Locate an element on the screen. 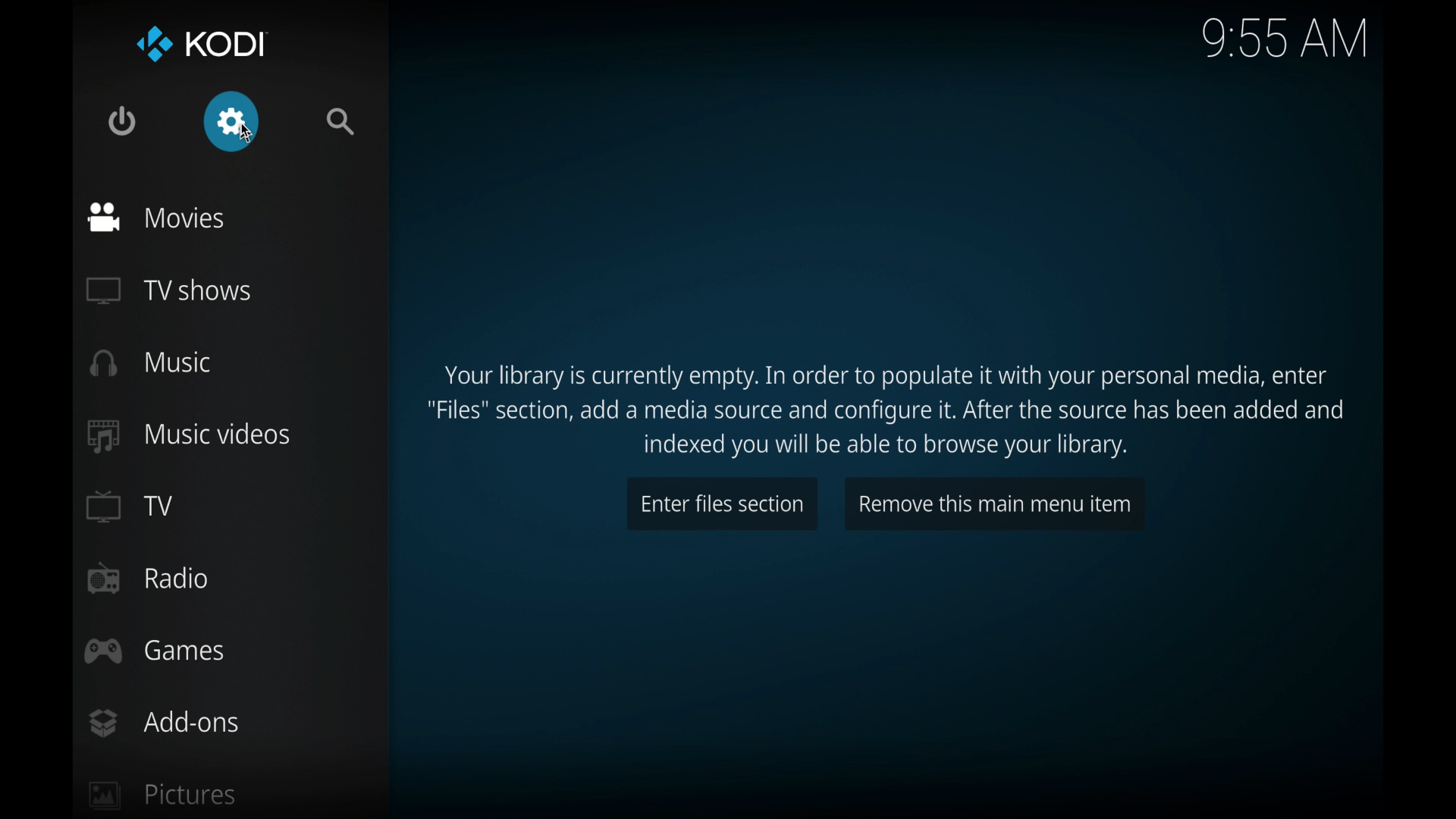 Image resolution: width=1456 pixels, height=819 pixels. time is located at coordinates (1285, 38).